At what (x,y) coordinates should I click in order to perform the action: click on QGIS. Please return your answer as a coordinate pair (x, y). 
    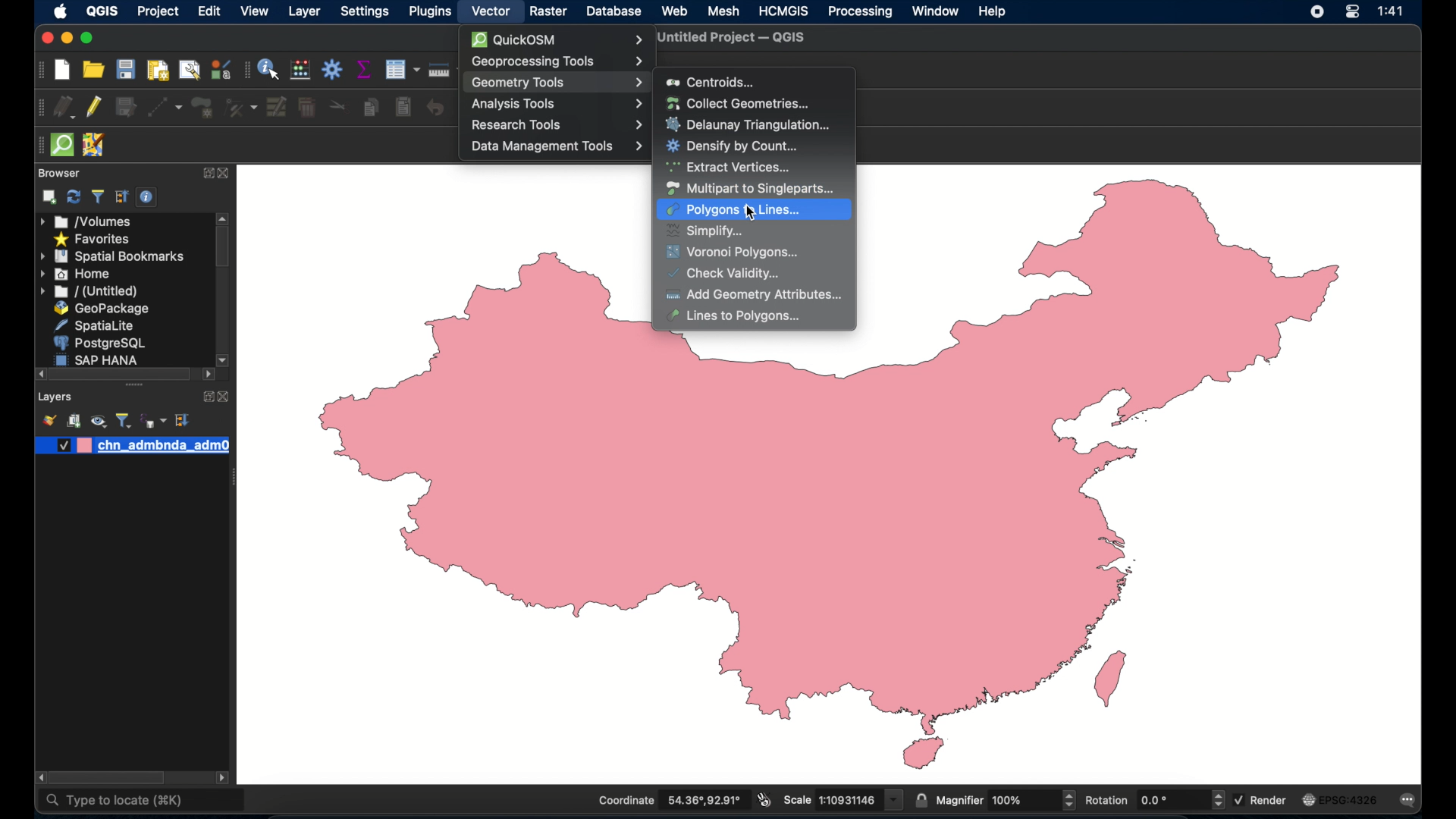
    Looking at the image, I should click on (101, 11).